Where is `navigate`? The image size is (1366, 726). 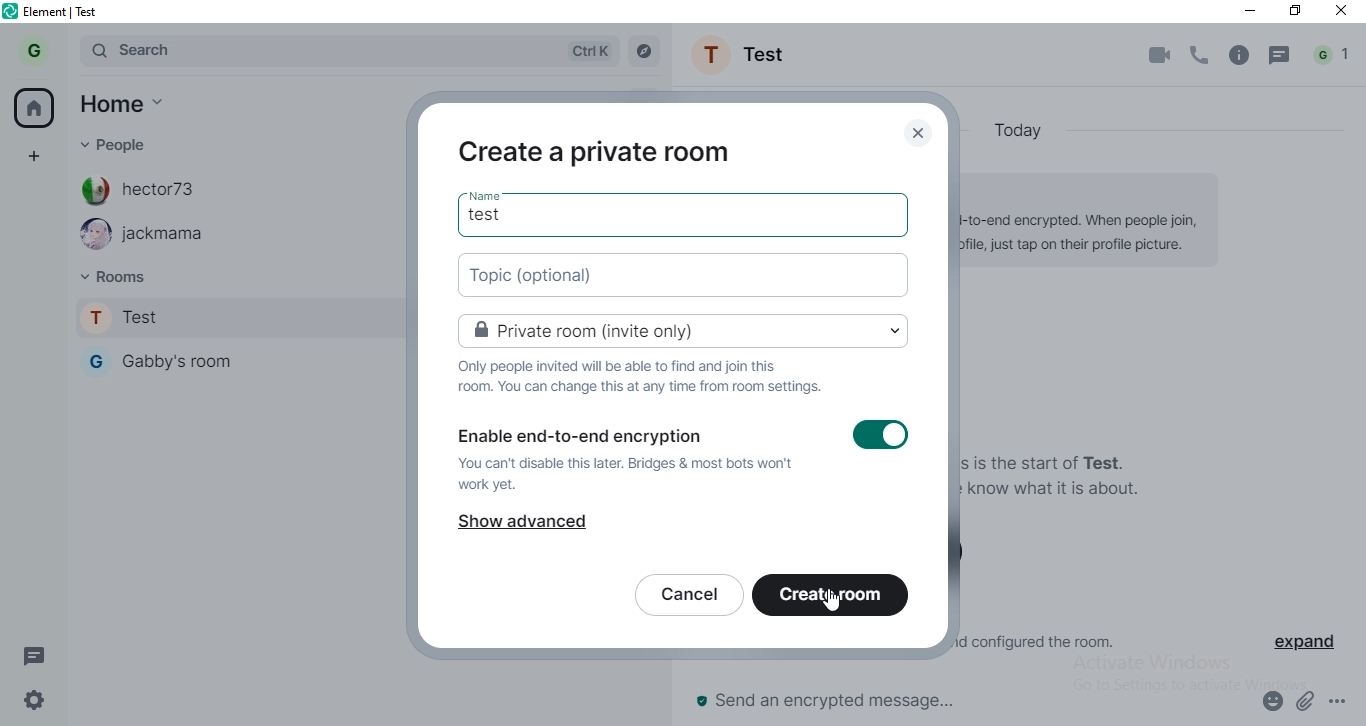 navigate is located at coordinates (646, 50).